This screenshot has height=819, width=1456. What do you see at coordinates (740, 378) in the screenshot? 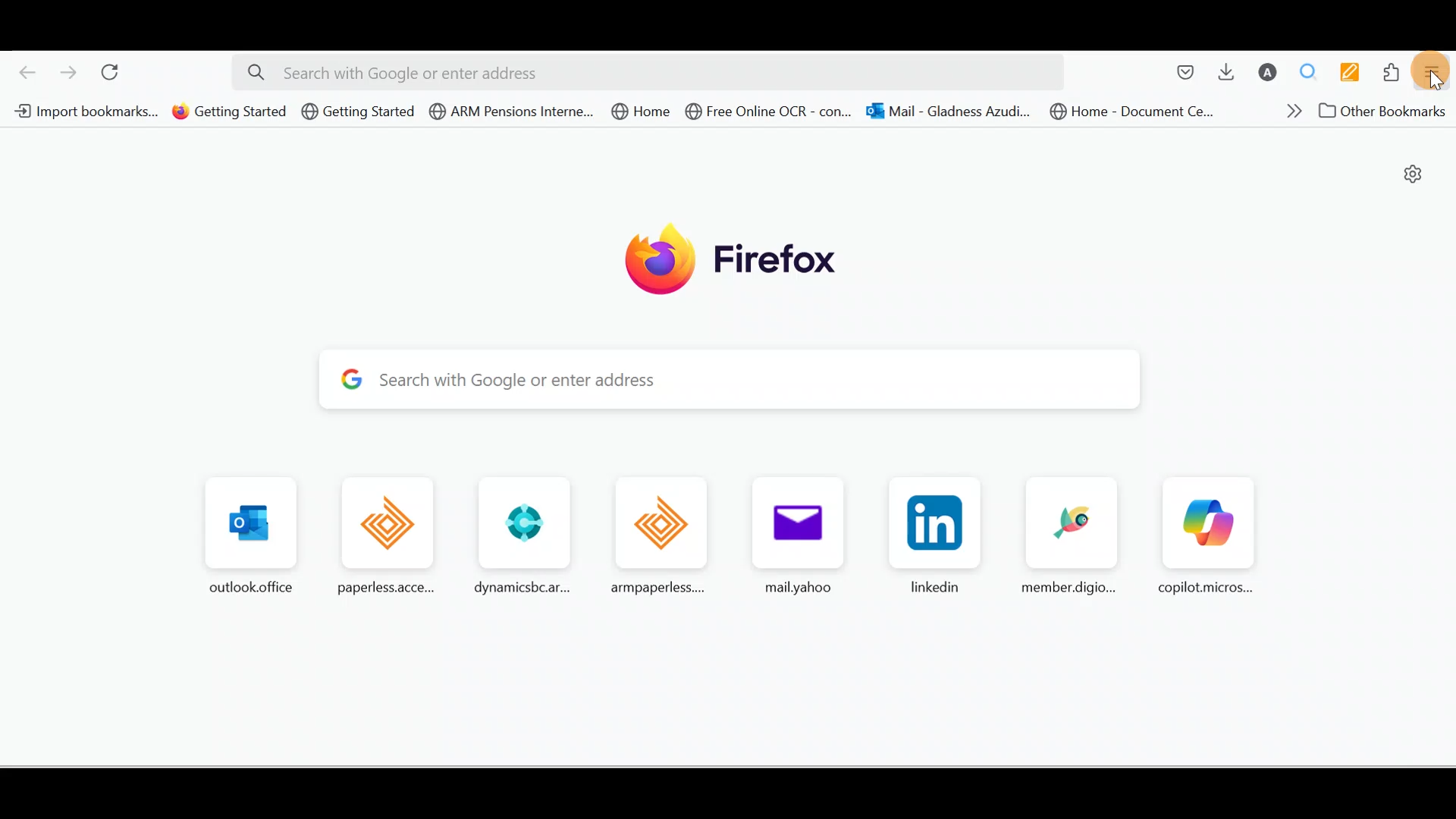
I see `Search with Google or enter address` at bounding box center [740, 378].